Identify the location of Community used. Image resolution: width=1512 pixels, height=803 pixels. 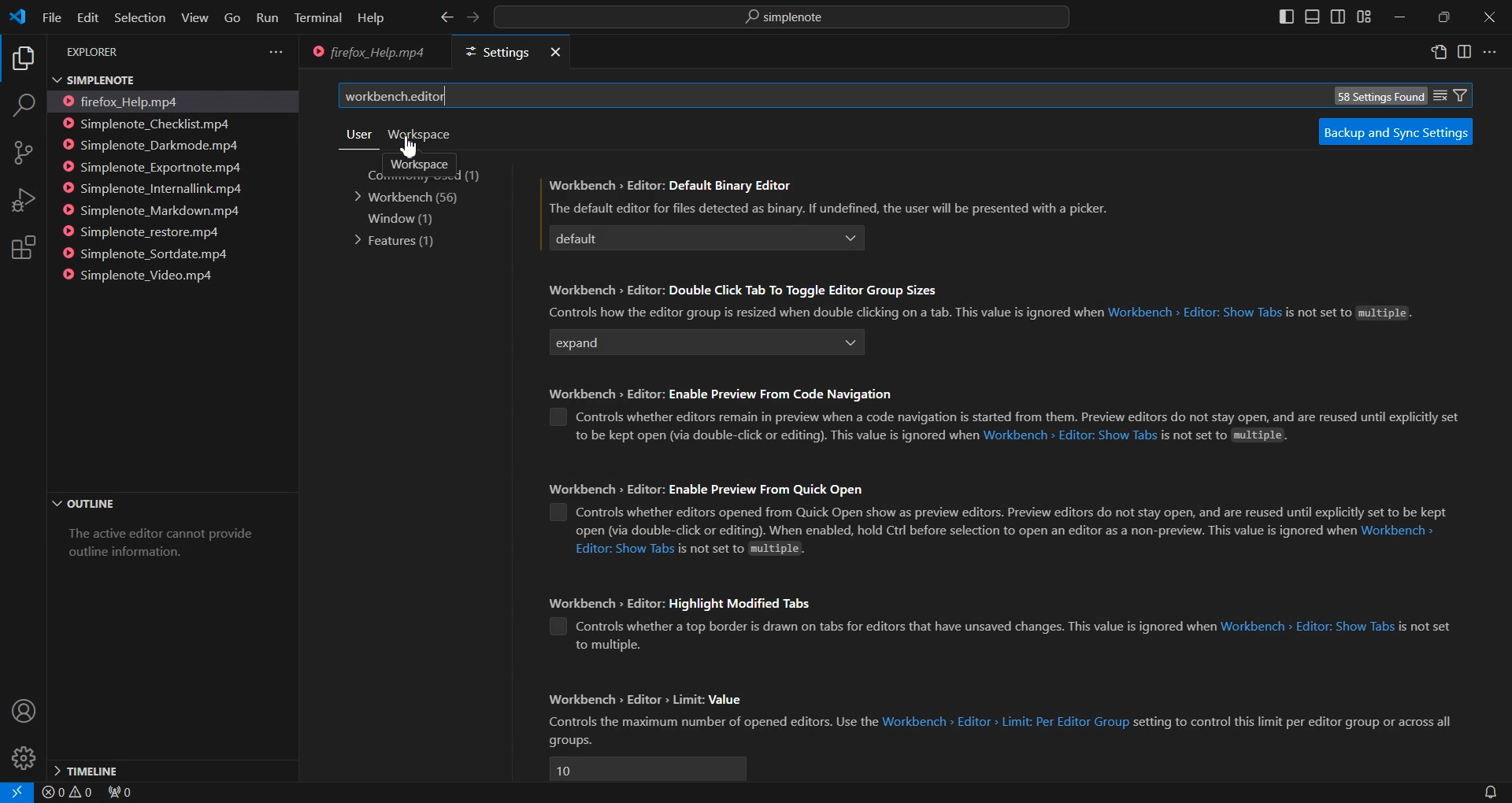
(435, 175).